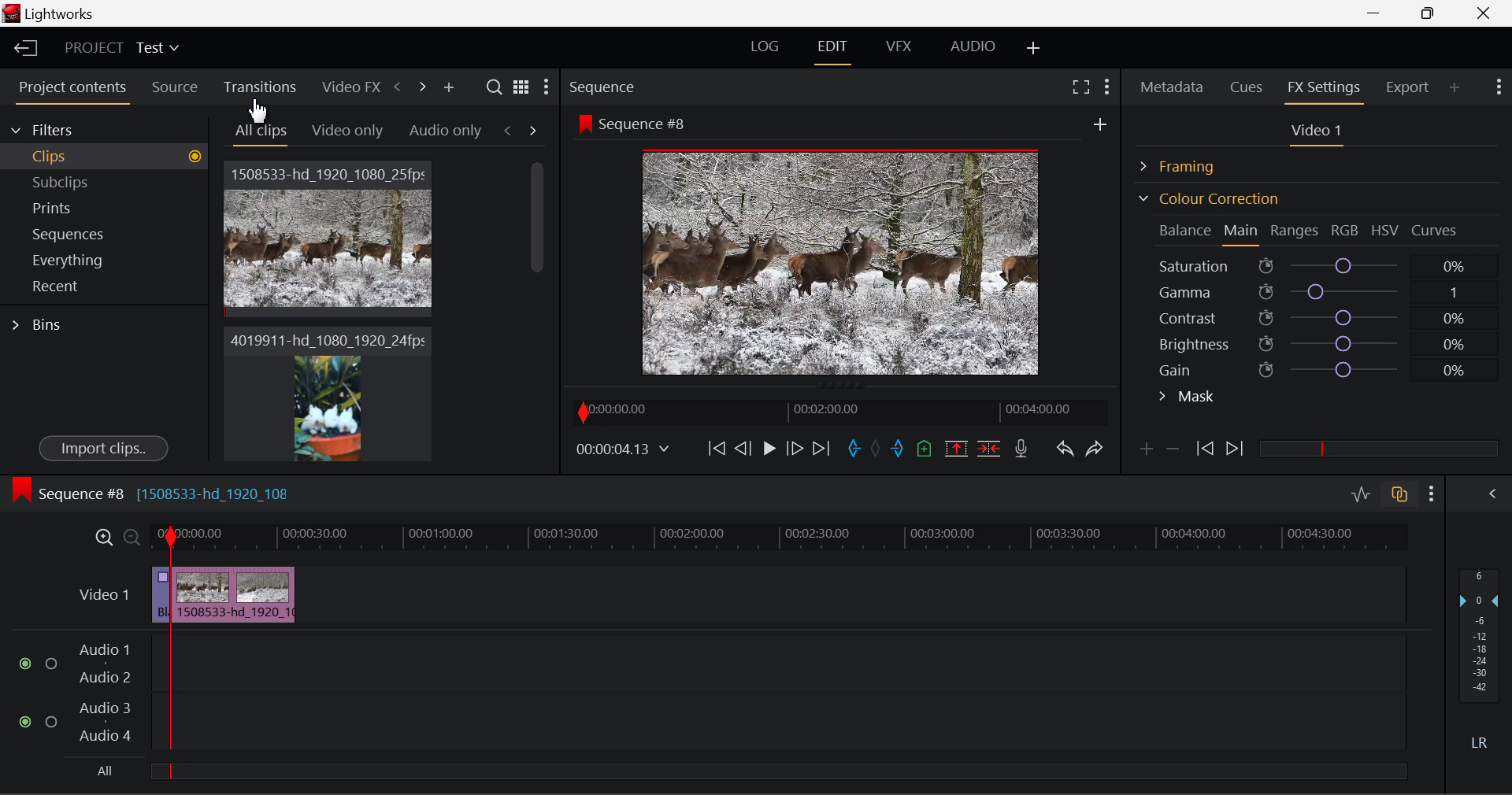 The height and width of the screenshot is (795, 1512). I want to click on Video 1 Settings, so click(1319, 134).